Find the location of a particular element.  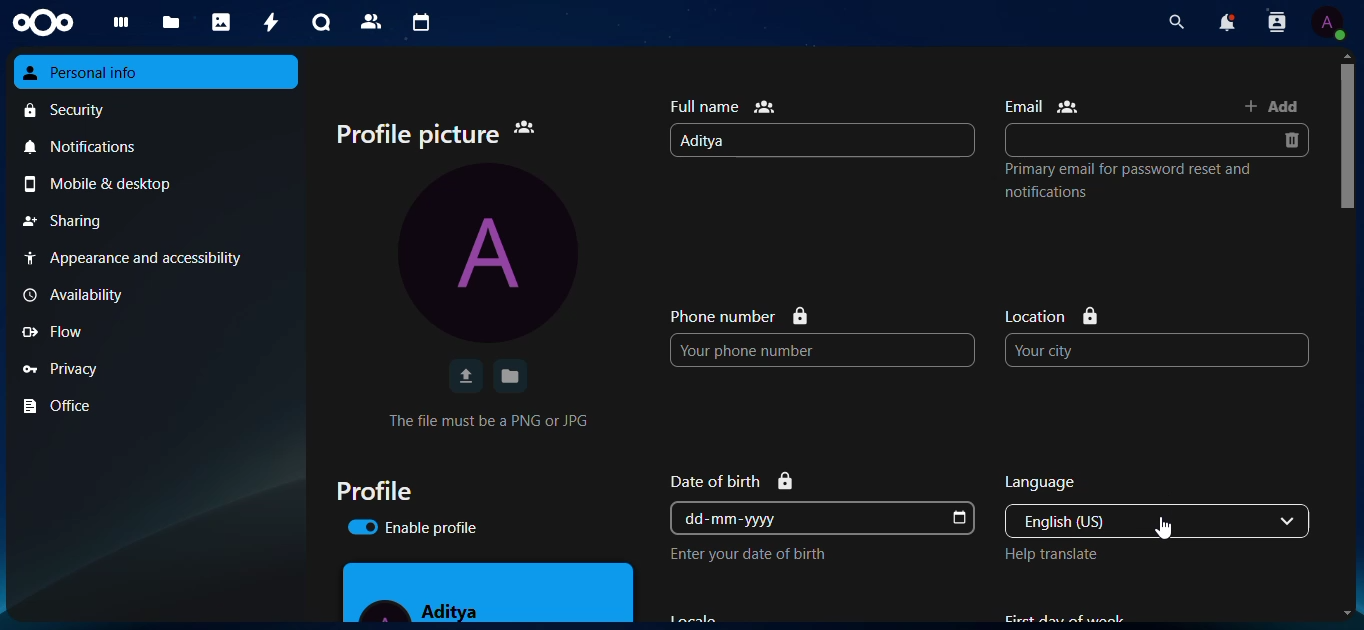

appearance is located at coordinates (144, 258).